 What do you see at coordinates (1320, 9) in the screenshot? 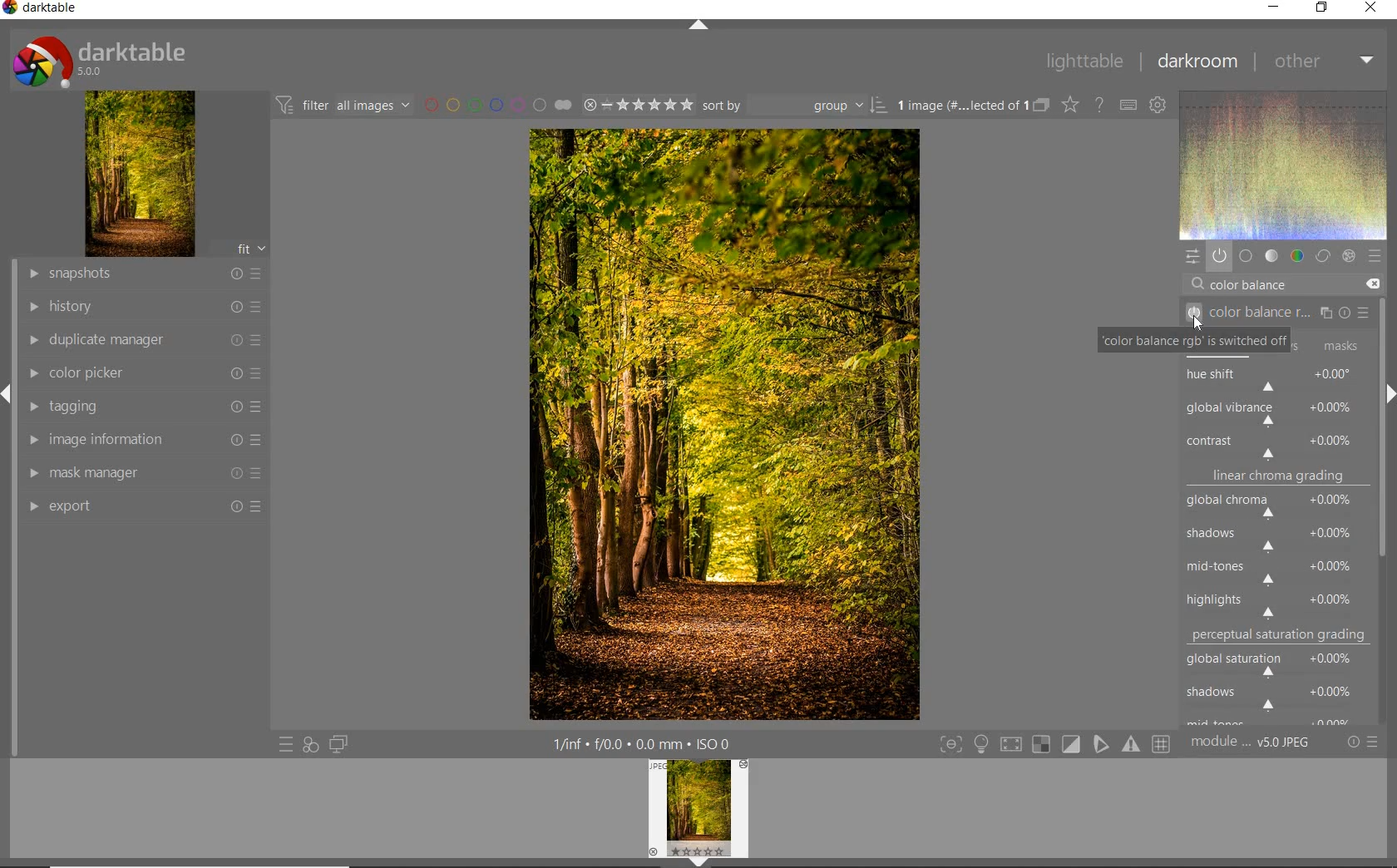
I see `restore` at bounding box center [1320, 9].